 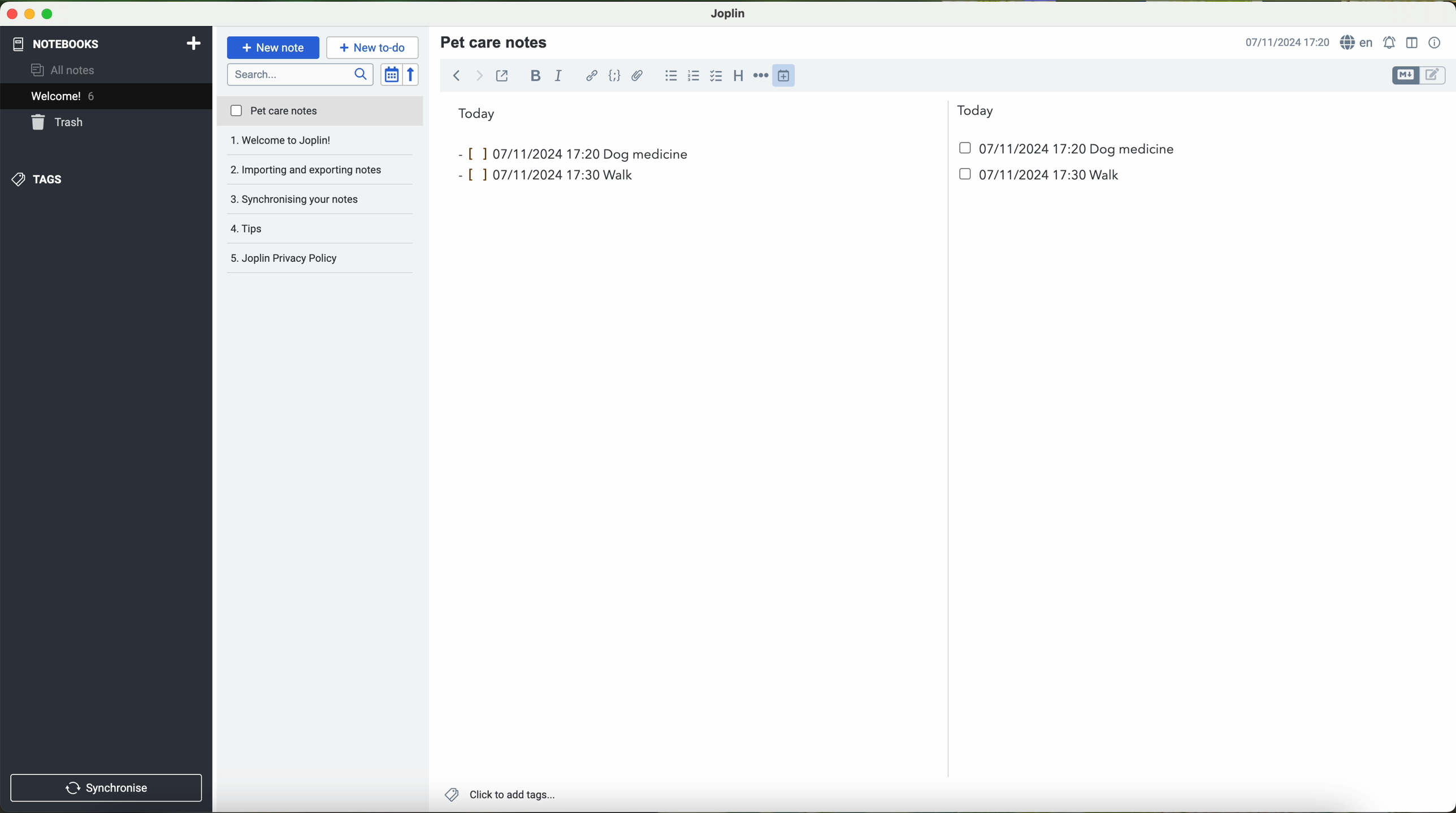 What do you see at coordinates (374, 48) in the screenshot?
I see `cursor on new to-do button ` at bounding box center [374, 48].